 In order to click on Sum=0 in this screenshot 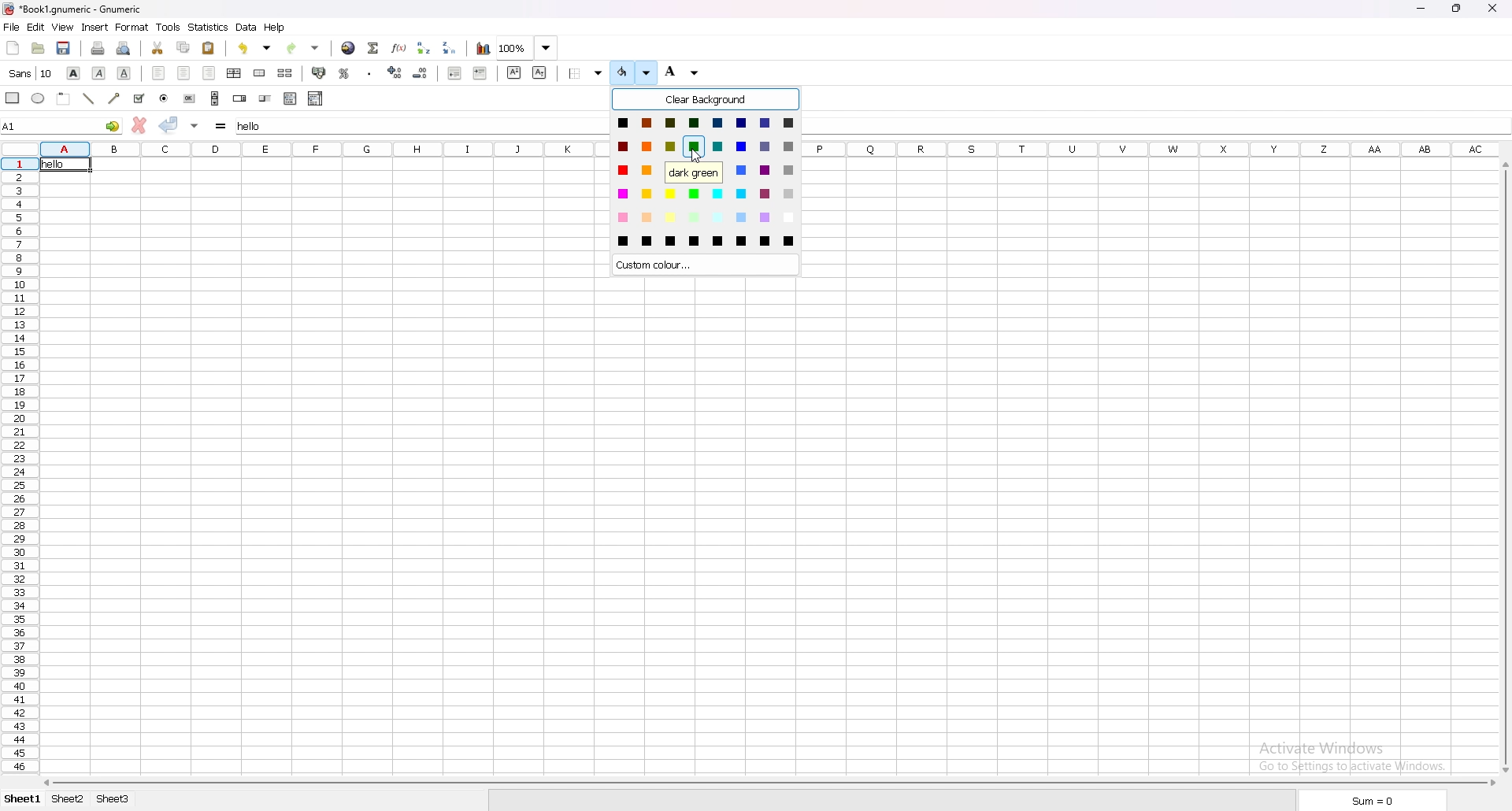, I will do `click(1372, 801)`.